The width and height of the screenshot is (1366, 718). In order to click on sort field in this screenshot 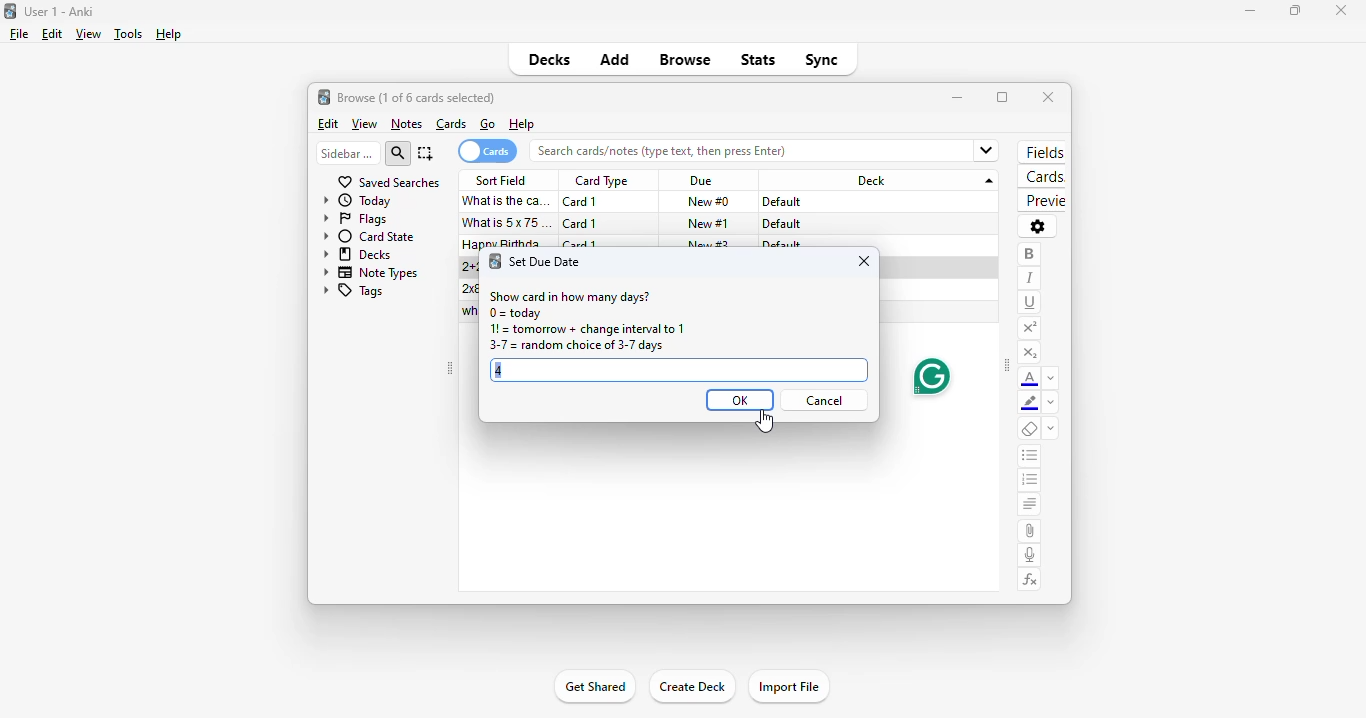, I will do `click(502, 180)`.